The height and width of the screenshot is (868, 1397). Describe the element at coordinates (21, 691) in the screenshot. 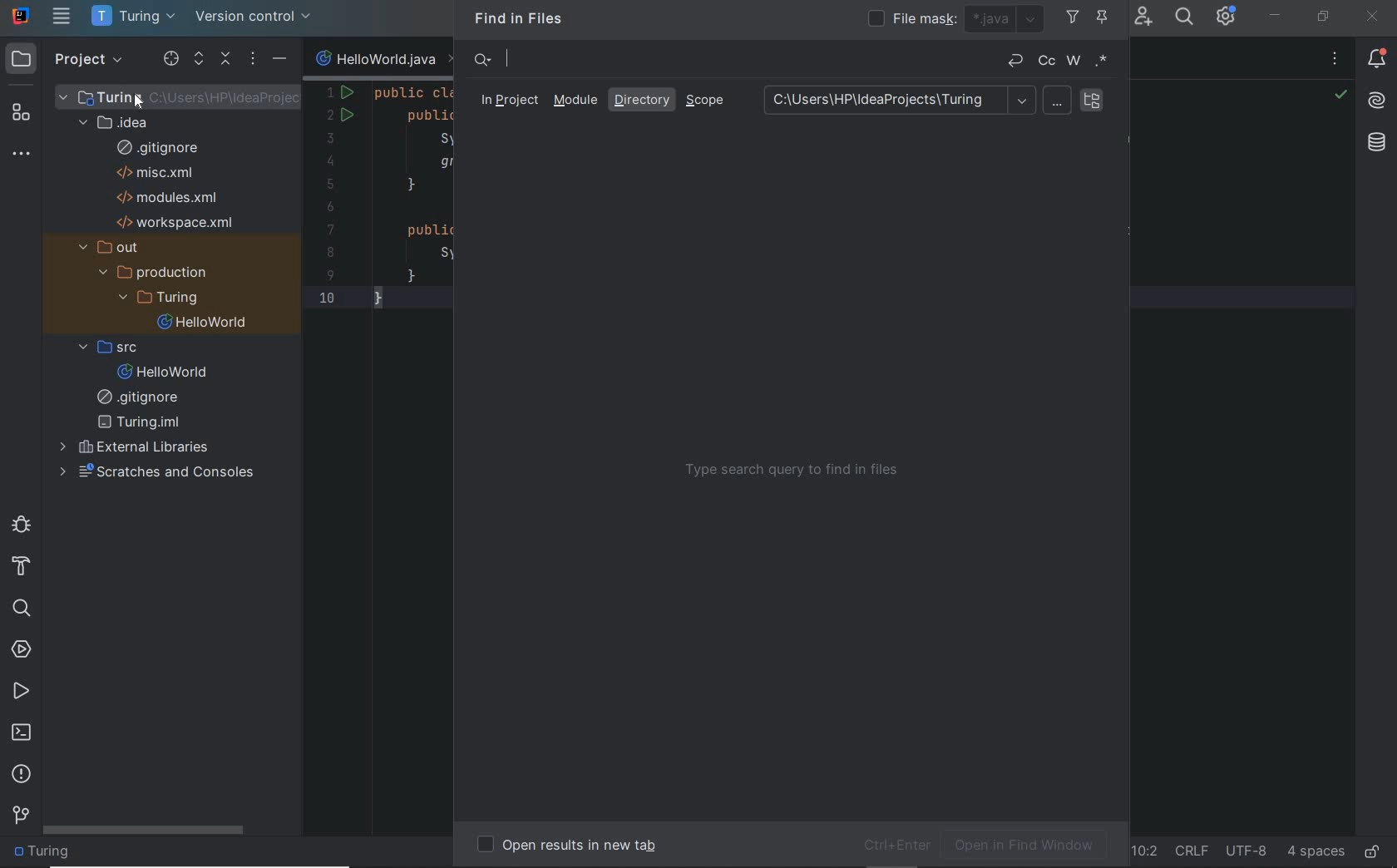

I see `run` at that location.